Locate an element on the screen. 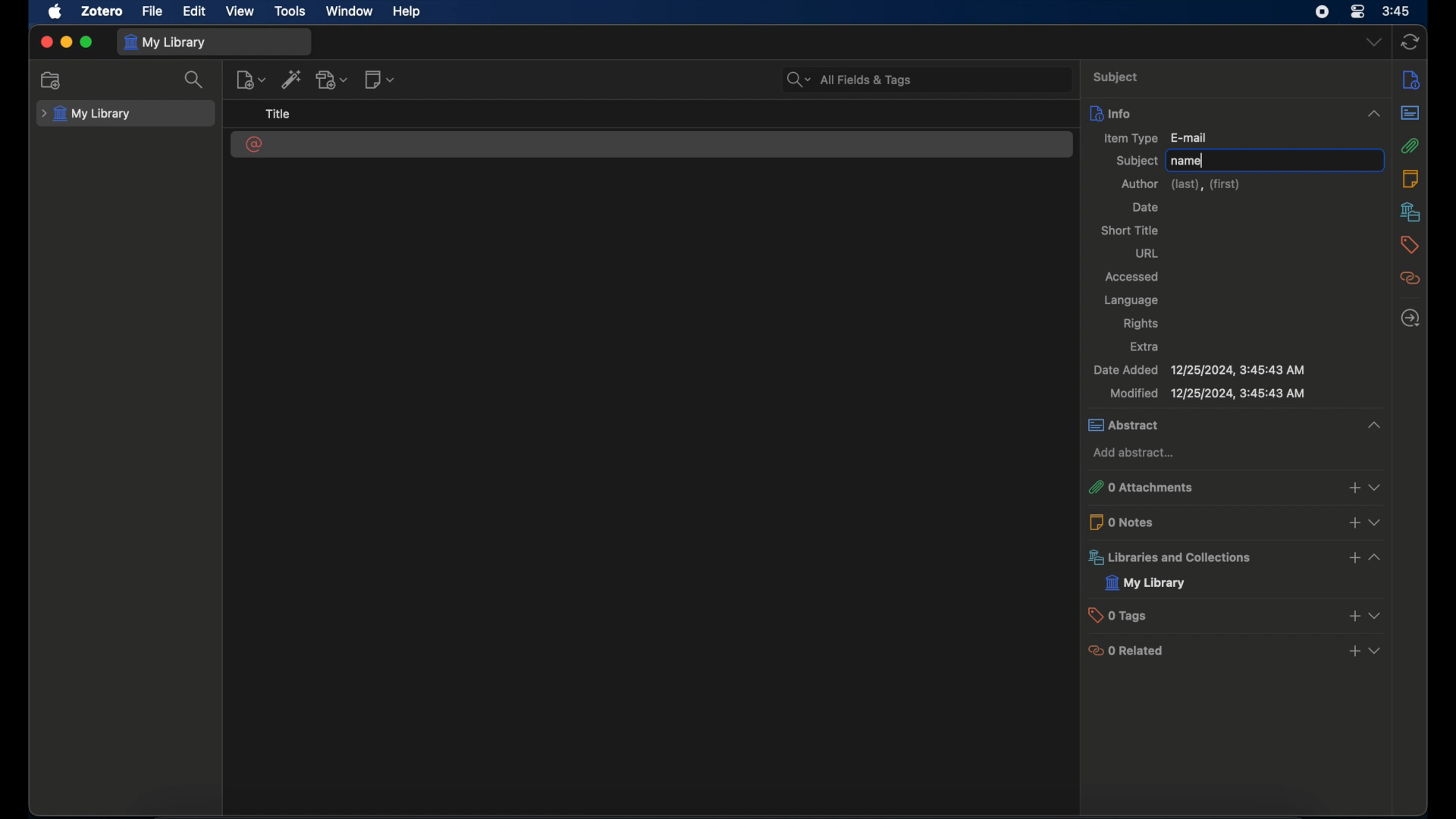 The height and width of the screenshot is (819, 1456). rights is located at coordinates (1141, 324).